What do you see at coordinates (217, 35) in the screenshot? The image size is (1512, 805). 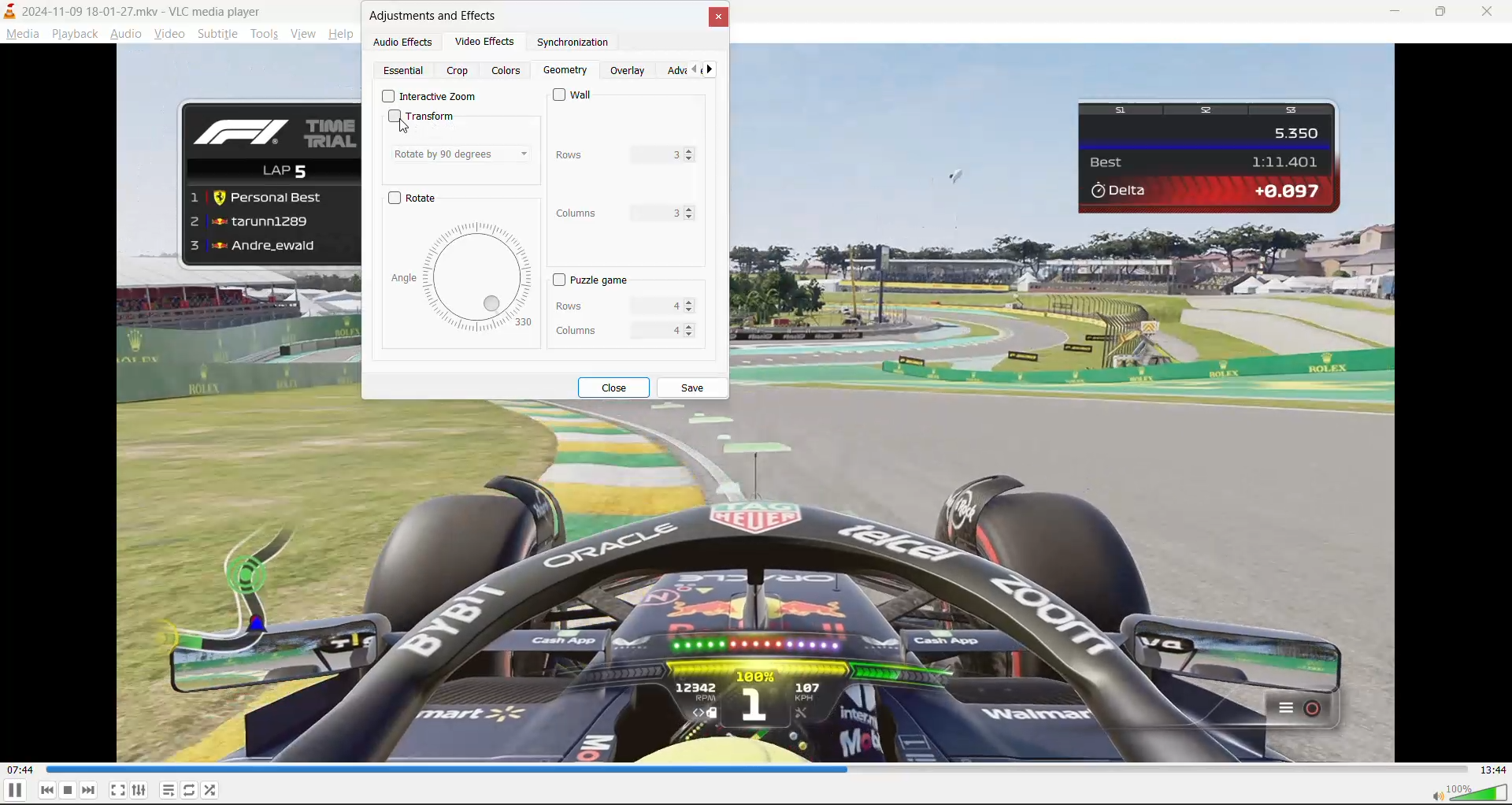 I see `subtitle` at bounding box center [217, 35].